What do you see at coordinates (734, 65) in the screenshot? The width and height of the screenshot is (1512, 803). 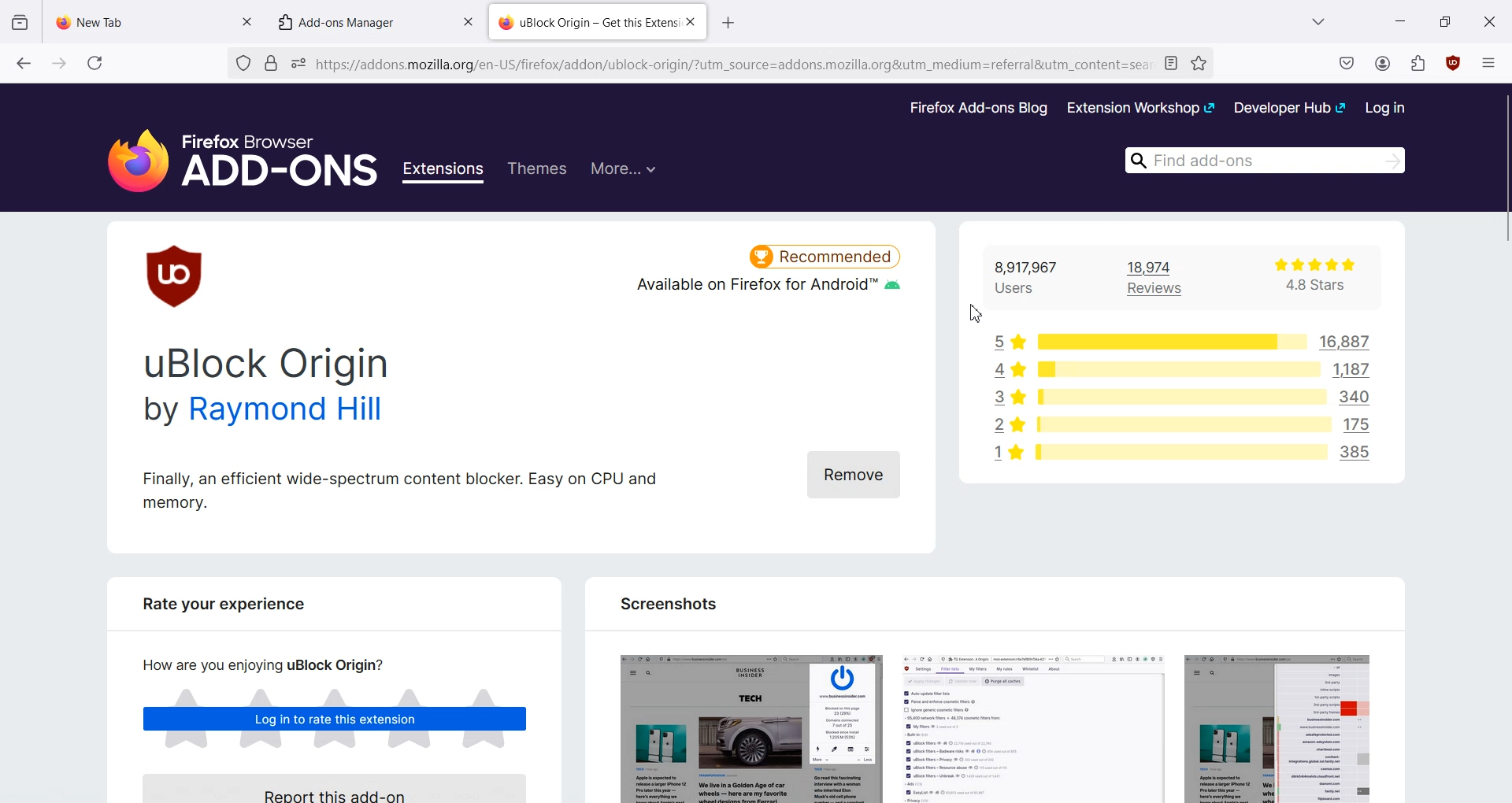 I see `https://addons.mozilla.org/en-US/firefox/addon/ublock-origin/?utm_source=addons.mozilla.org&utm_medium=referral&utm_content=search` at bounding box center [734, 65].